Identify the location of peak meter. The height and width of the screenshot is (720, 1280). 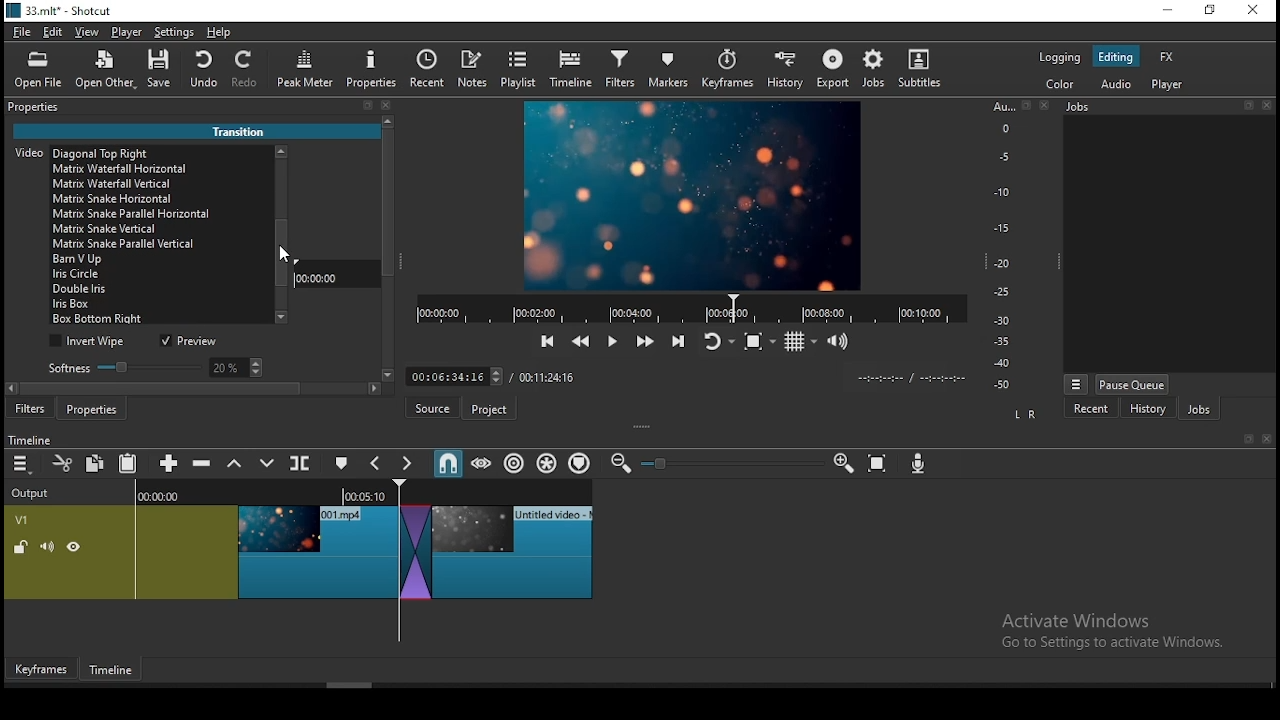
(307, 68).